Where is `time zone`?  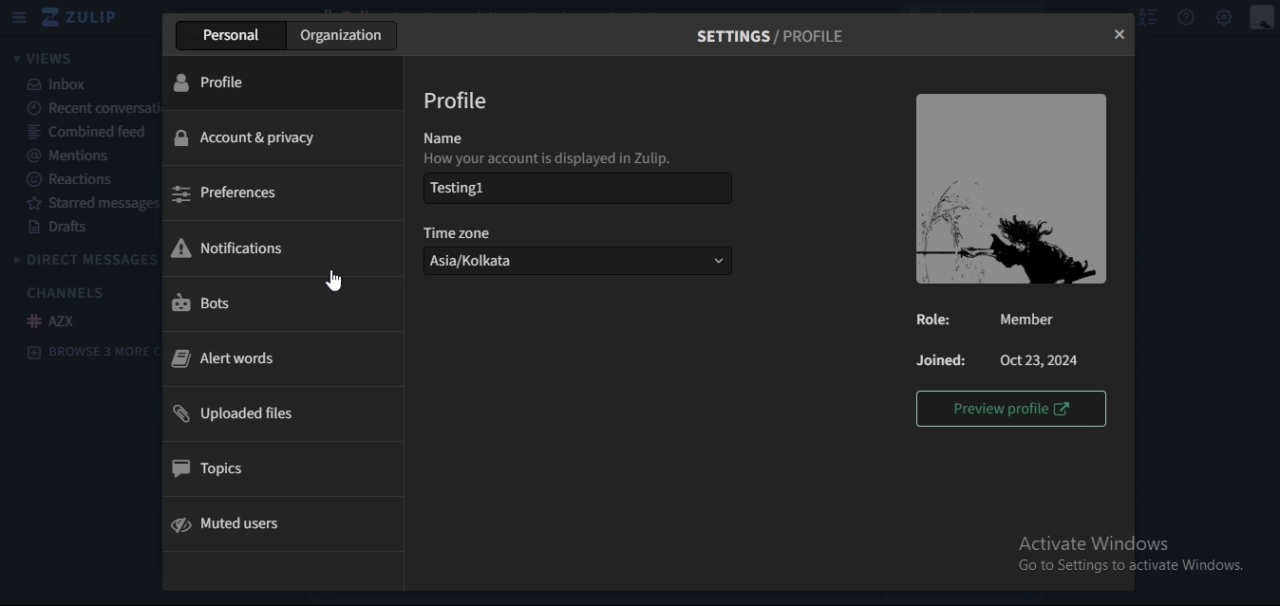
time zone is located at coordinates (470, 232).